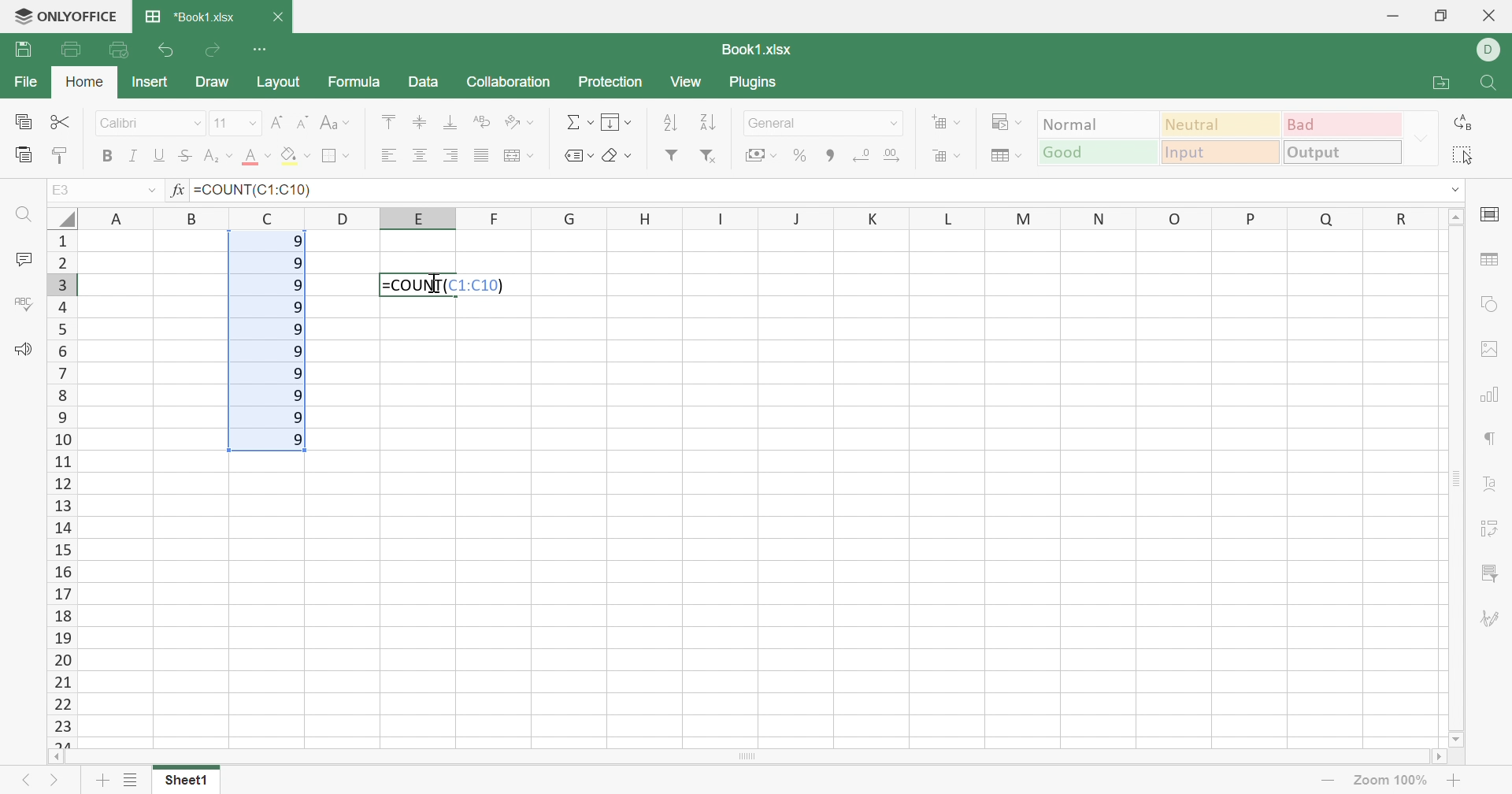 The image size is (1512, 794). Describe the element at coordinates (897, 155) in the screenshot. I see `Increase decimals` at that location.